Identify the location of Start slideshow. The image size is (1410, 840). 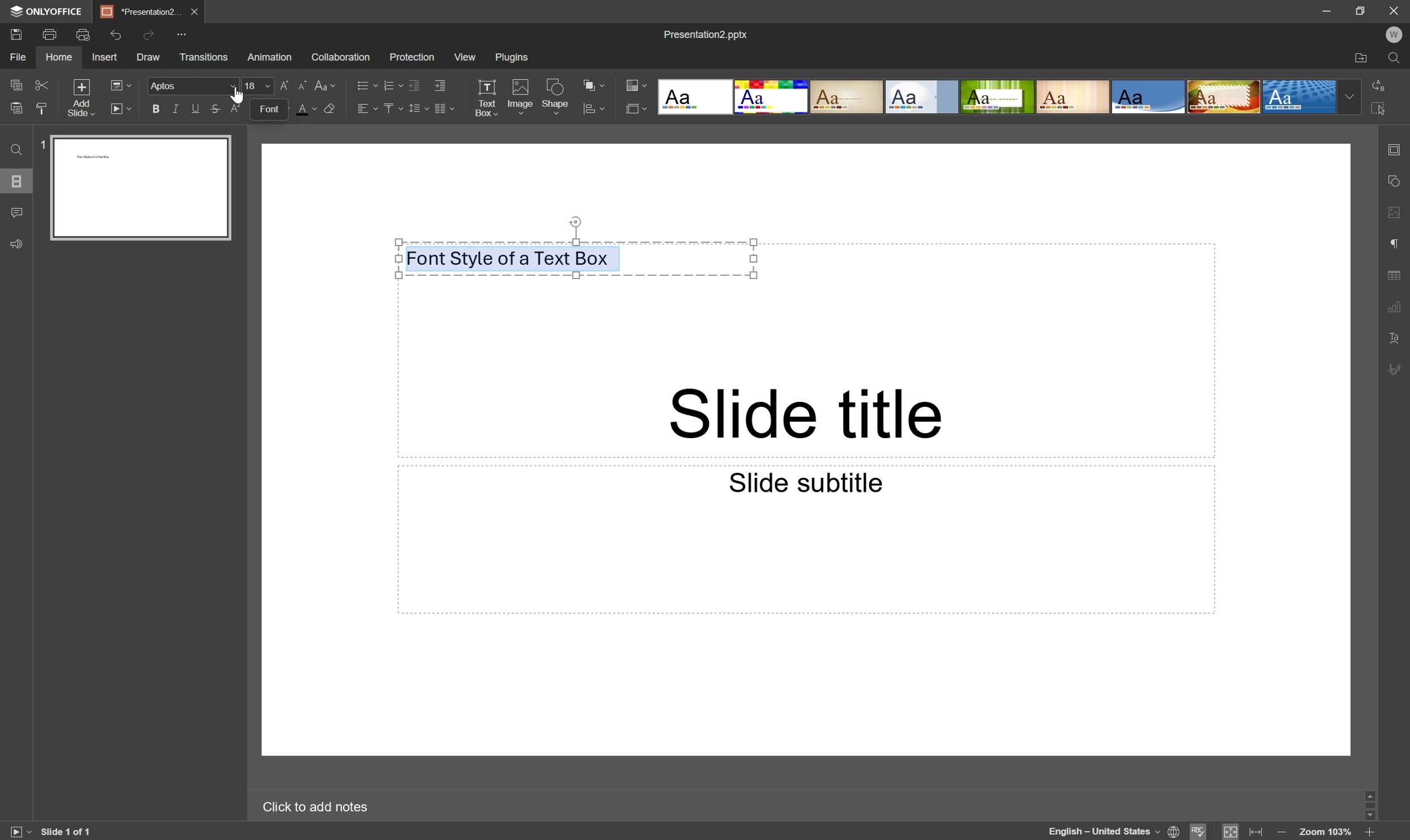
(123, 109).